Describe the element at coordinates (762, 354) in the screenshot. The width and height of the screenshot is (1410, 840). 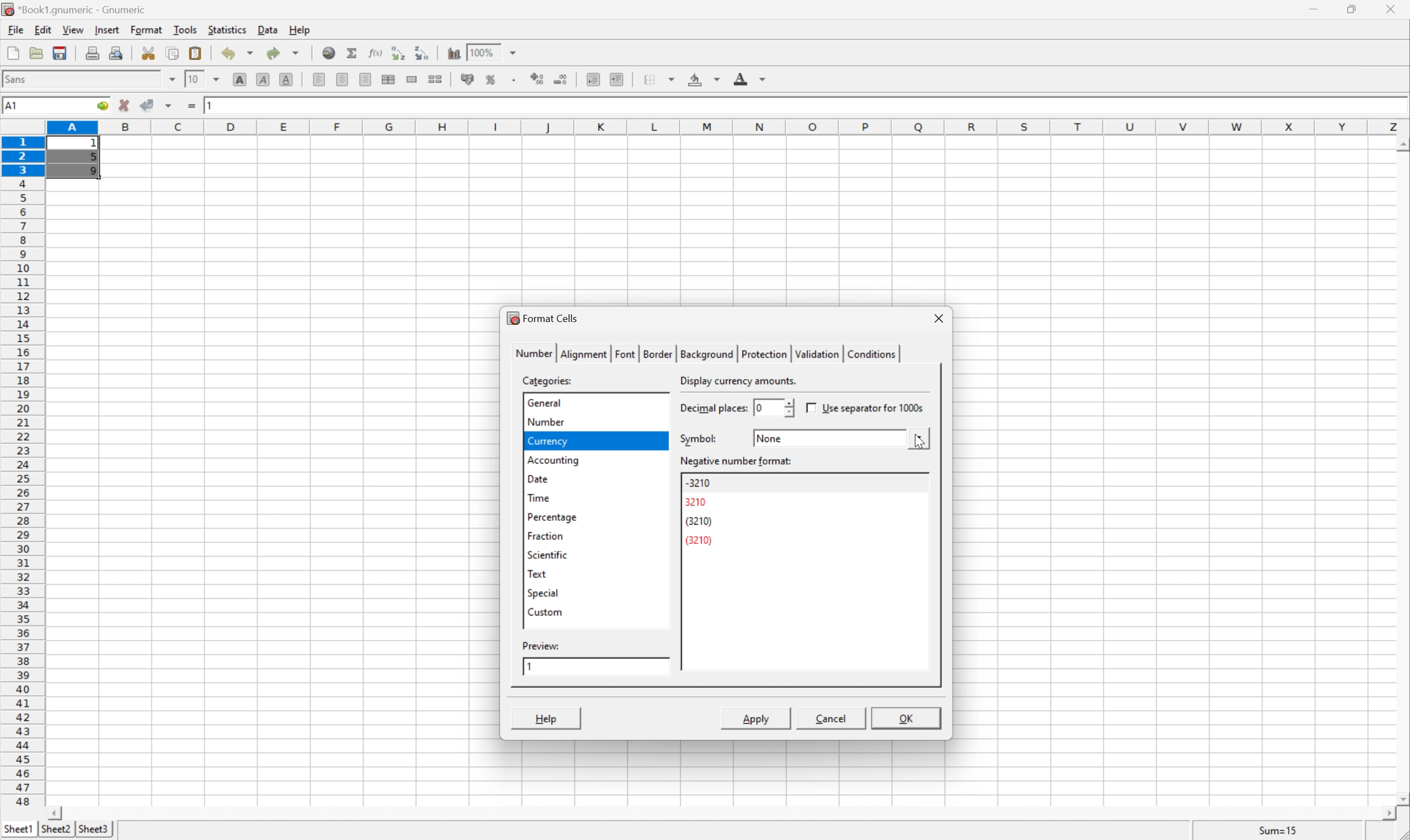
I see `protection` at that location.